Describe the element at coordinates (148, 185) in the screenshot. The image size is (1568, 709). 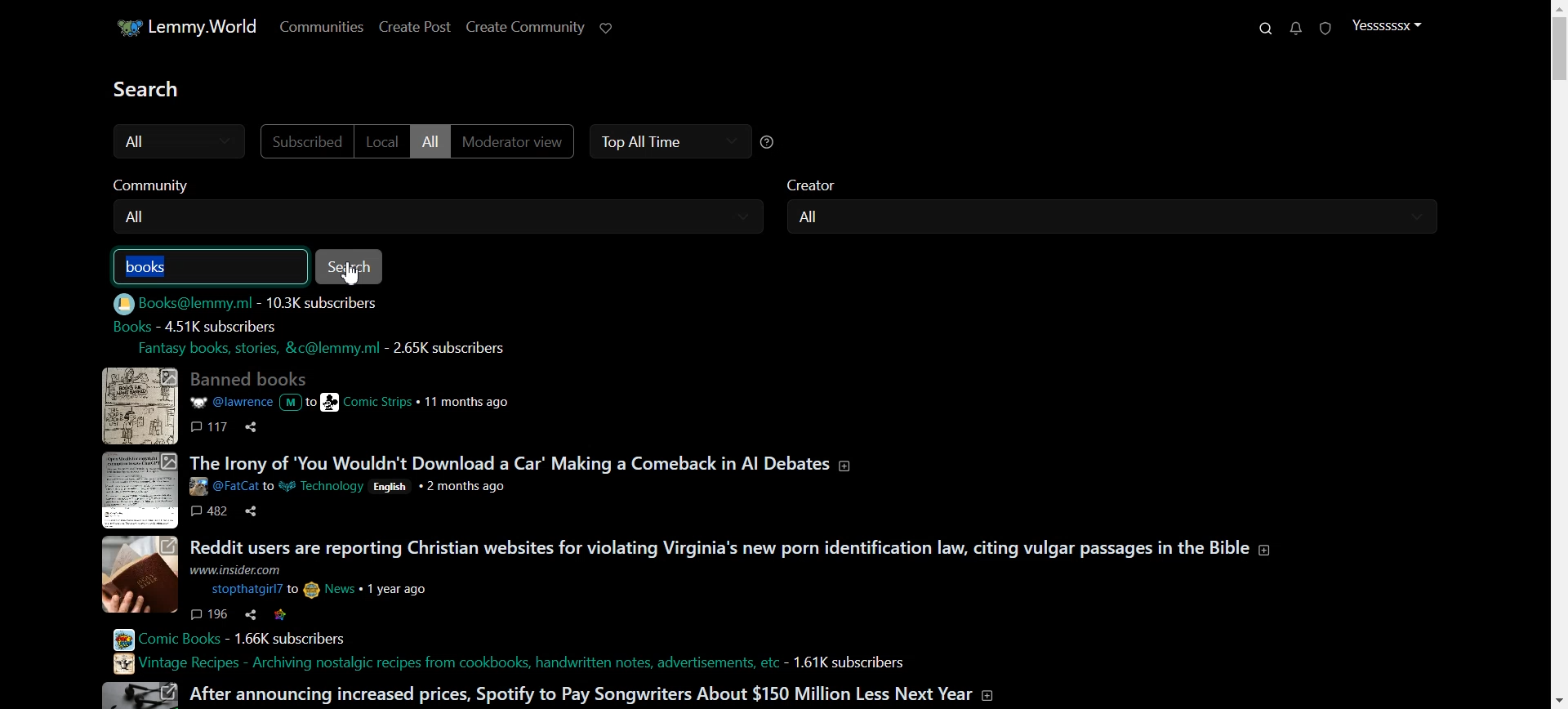
I see `community` at that location.